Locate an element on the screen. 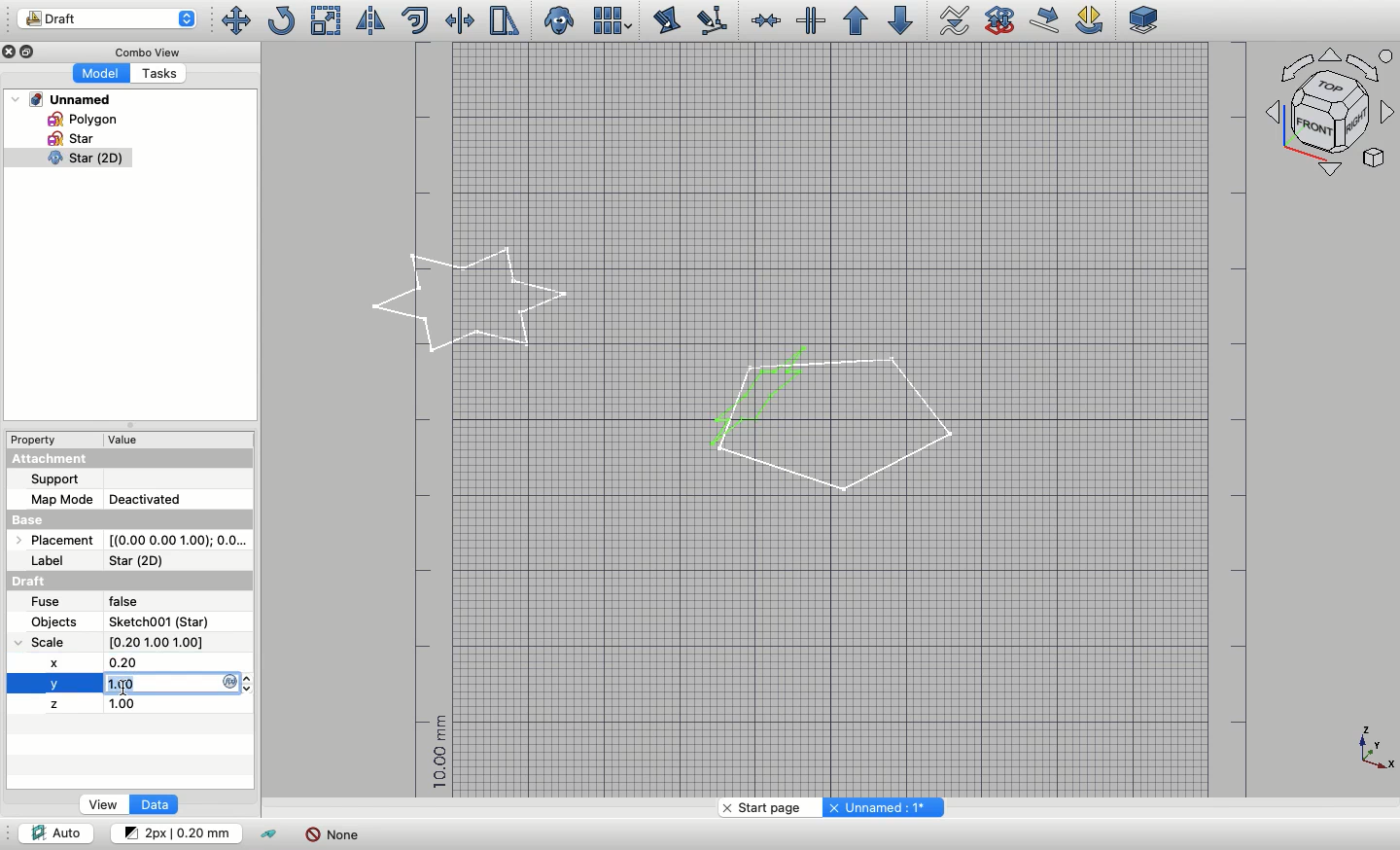  Split is located at coordinates (810, 20).